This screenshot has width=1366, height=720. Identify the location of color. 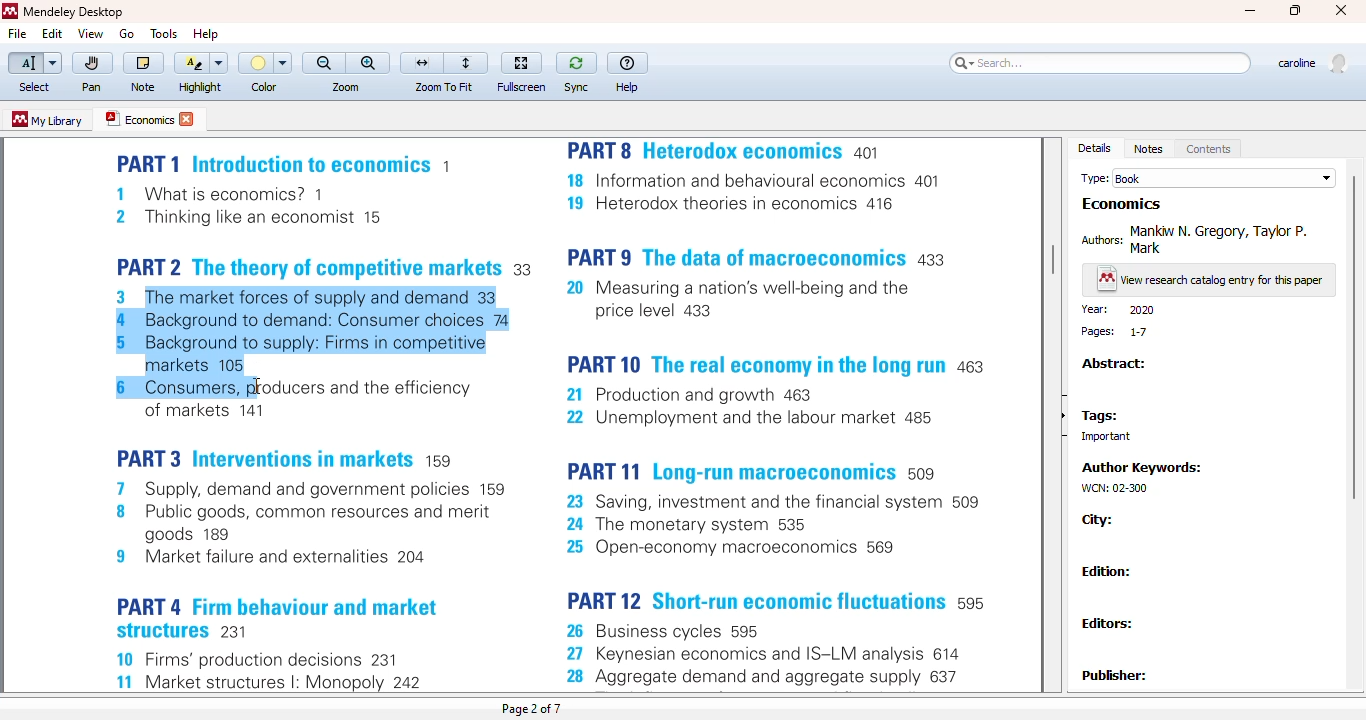
(265, 63).